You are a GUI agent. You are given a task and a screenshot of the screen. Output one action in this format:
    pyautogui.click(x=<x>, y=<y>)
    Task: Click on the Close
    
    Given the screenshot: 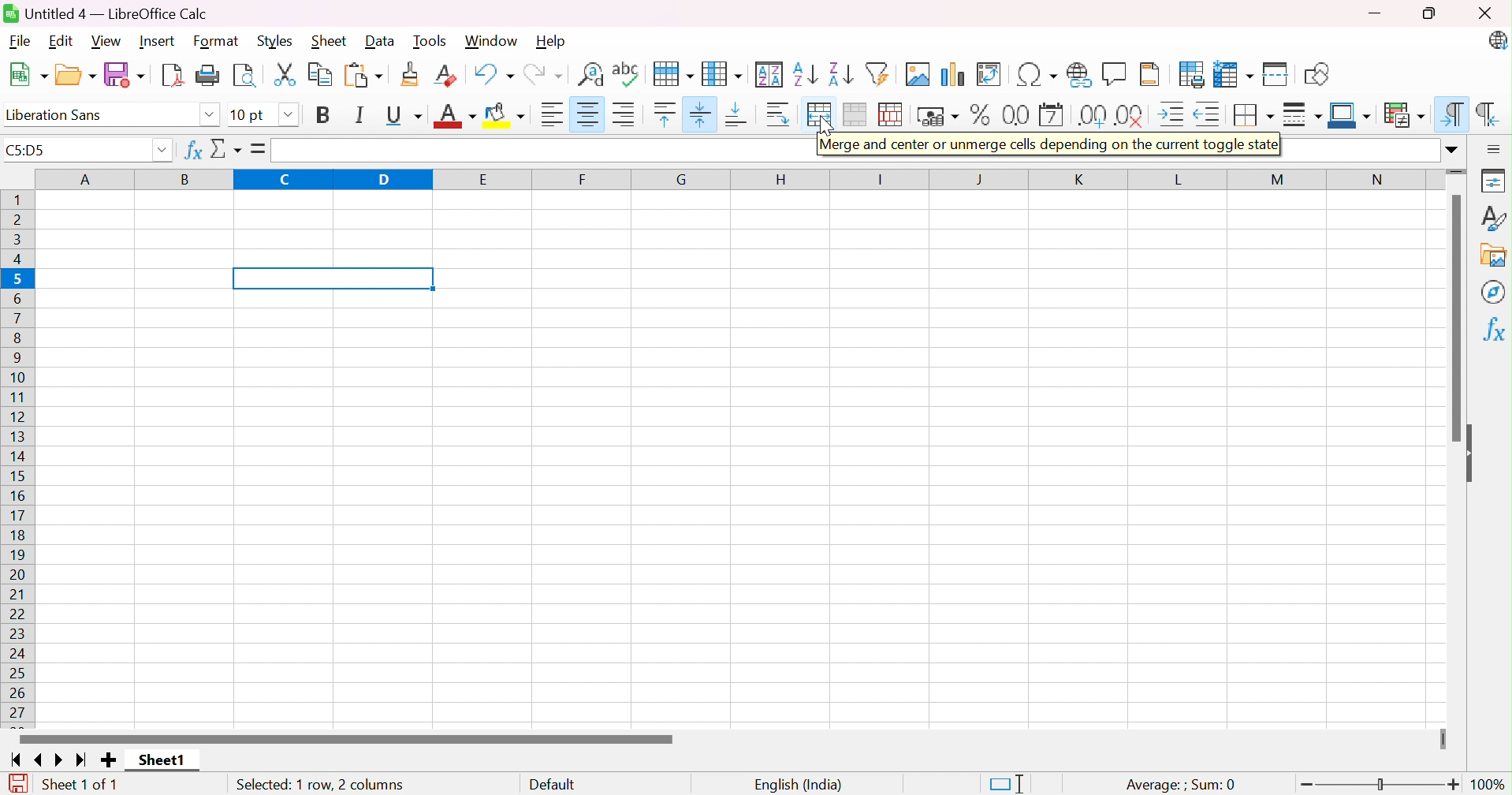 What is the action you would take?
    pyautogui.click(x=1485, y=13)
    